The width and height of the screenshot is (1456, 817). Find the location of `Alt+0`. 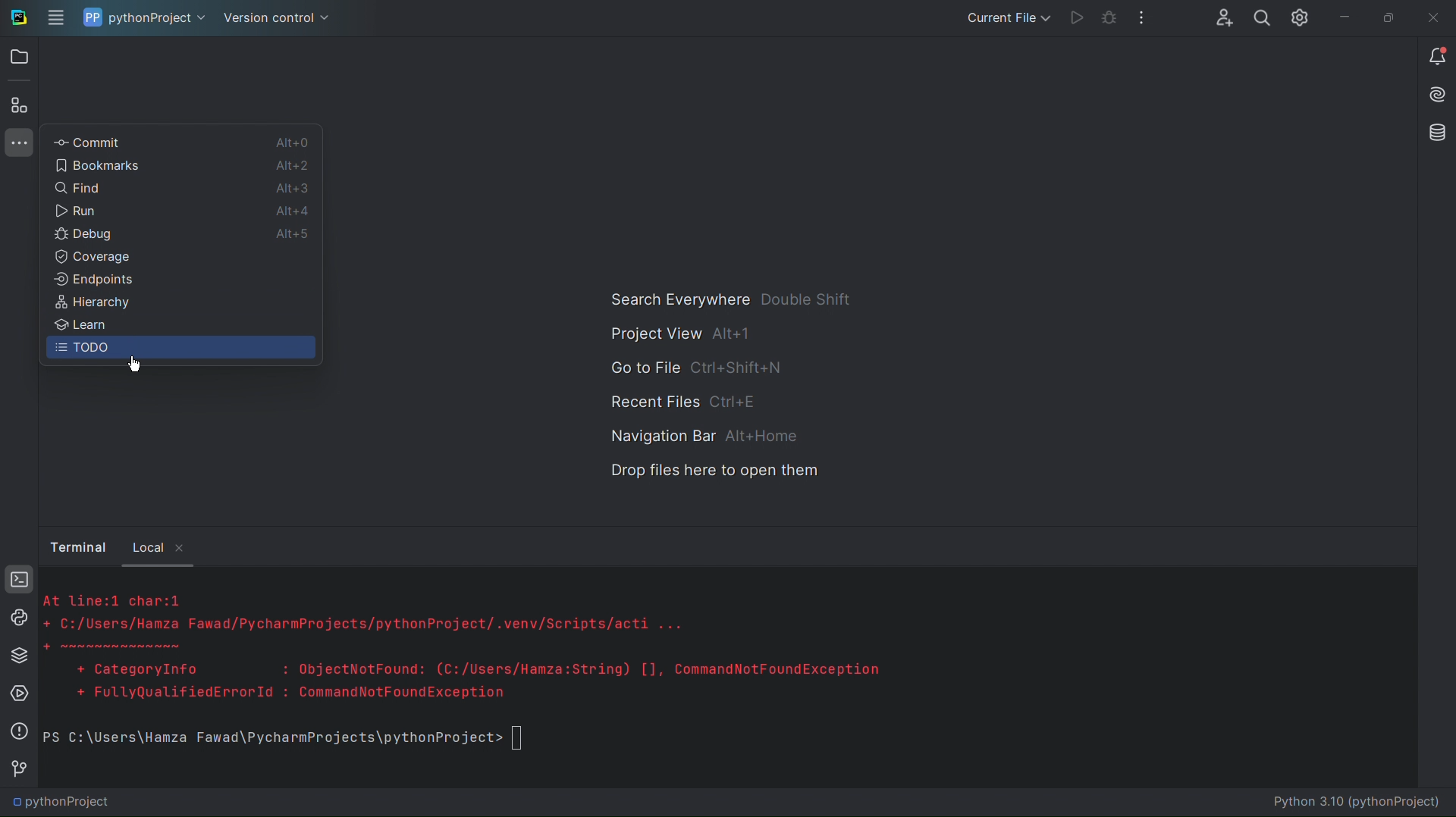

Alt+0 is located at coordinates (290, 143).